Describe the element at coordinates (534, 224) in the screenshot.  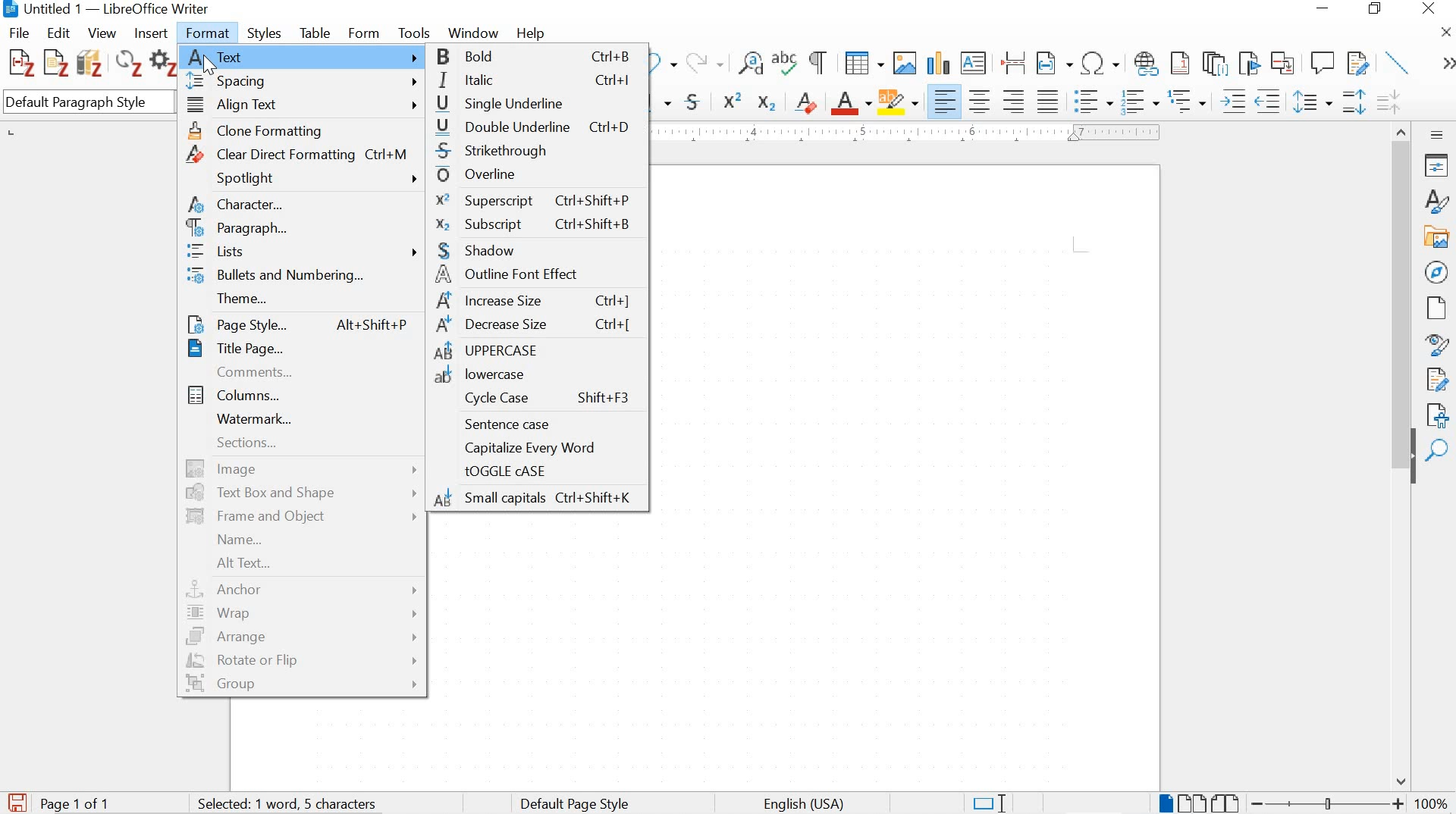
I see `subscript              Ctrl+Shift+B` at that location.